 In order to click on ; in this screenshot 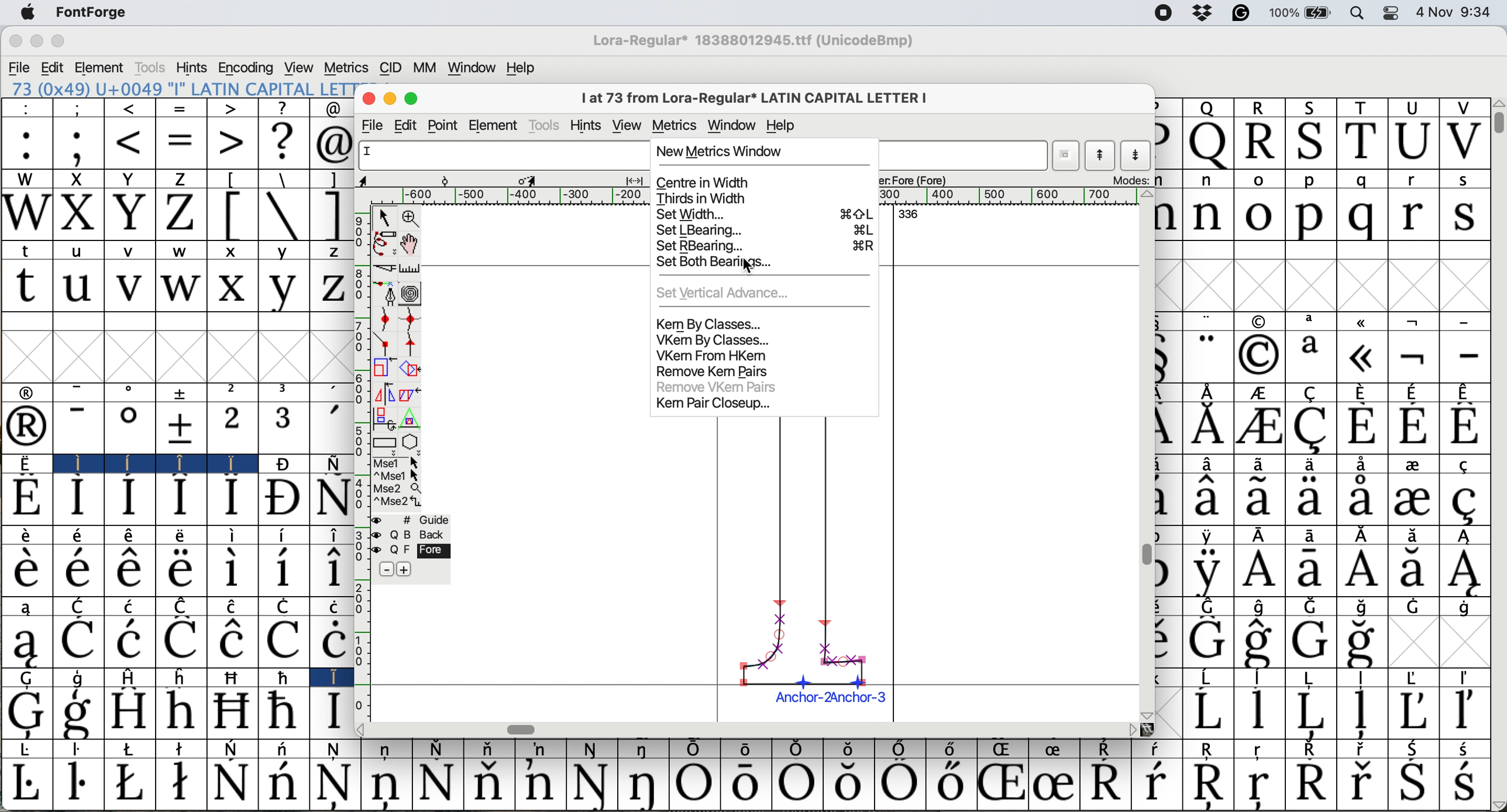, I will do `click(78, 146)`.